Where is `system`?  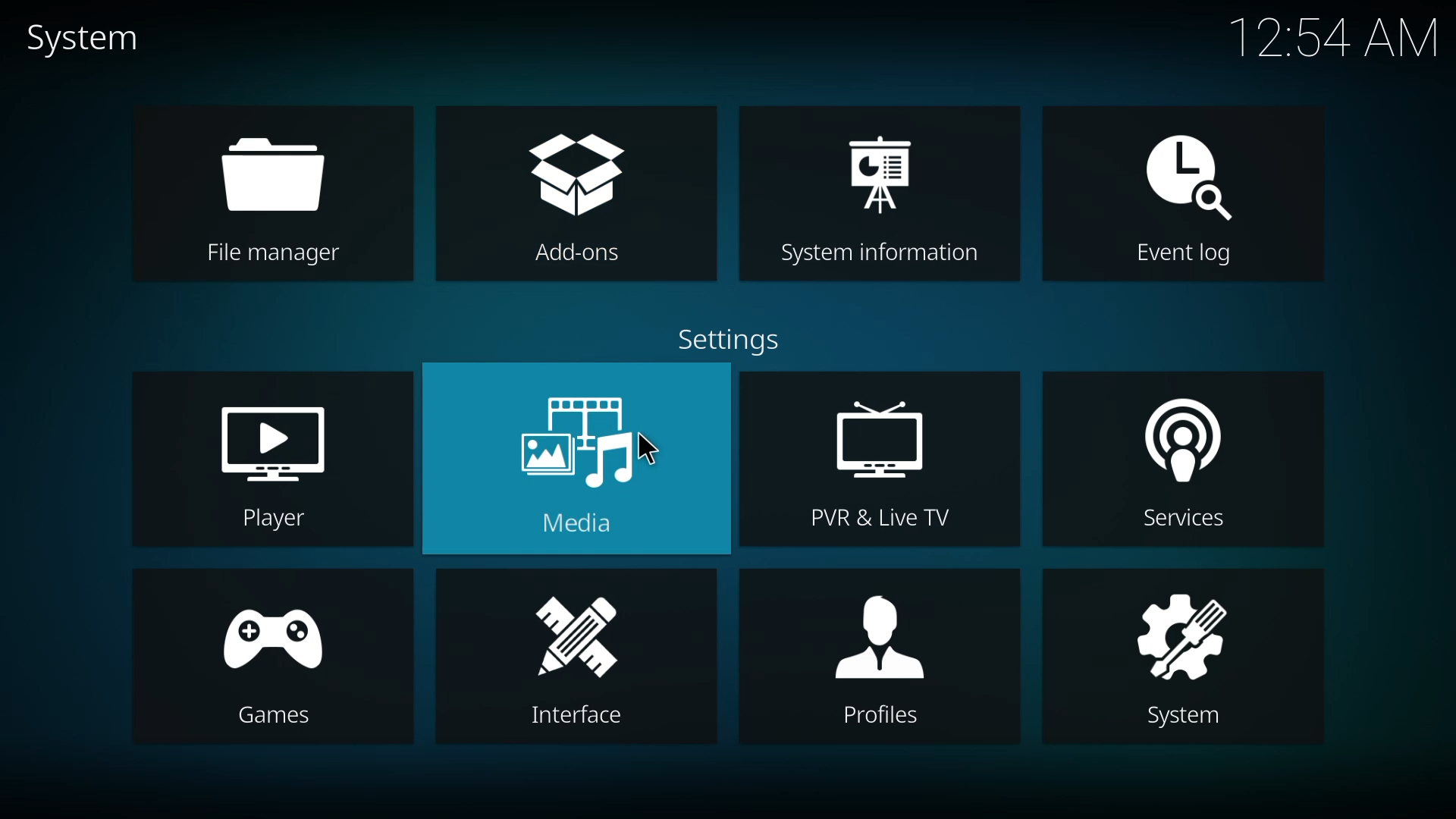
system is located at coordinates (89, 39).